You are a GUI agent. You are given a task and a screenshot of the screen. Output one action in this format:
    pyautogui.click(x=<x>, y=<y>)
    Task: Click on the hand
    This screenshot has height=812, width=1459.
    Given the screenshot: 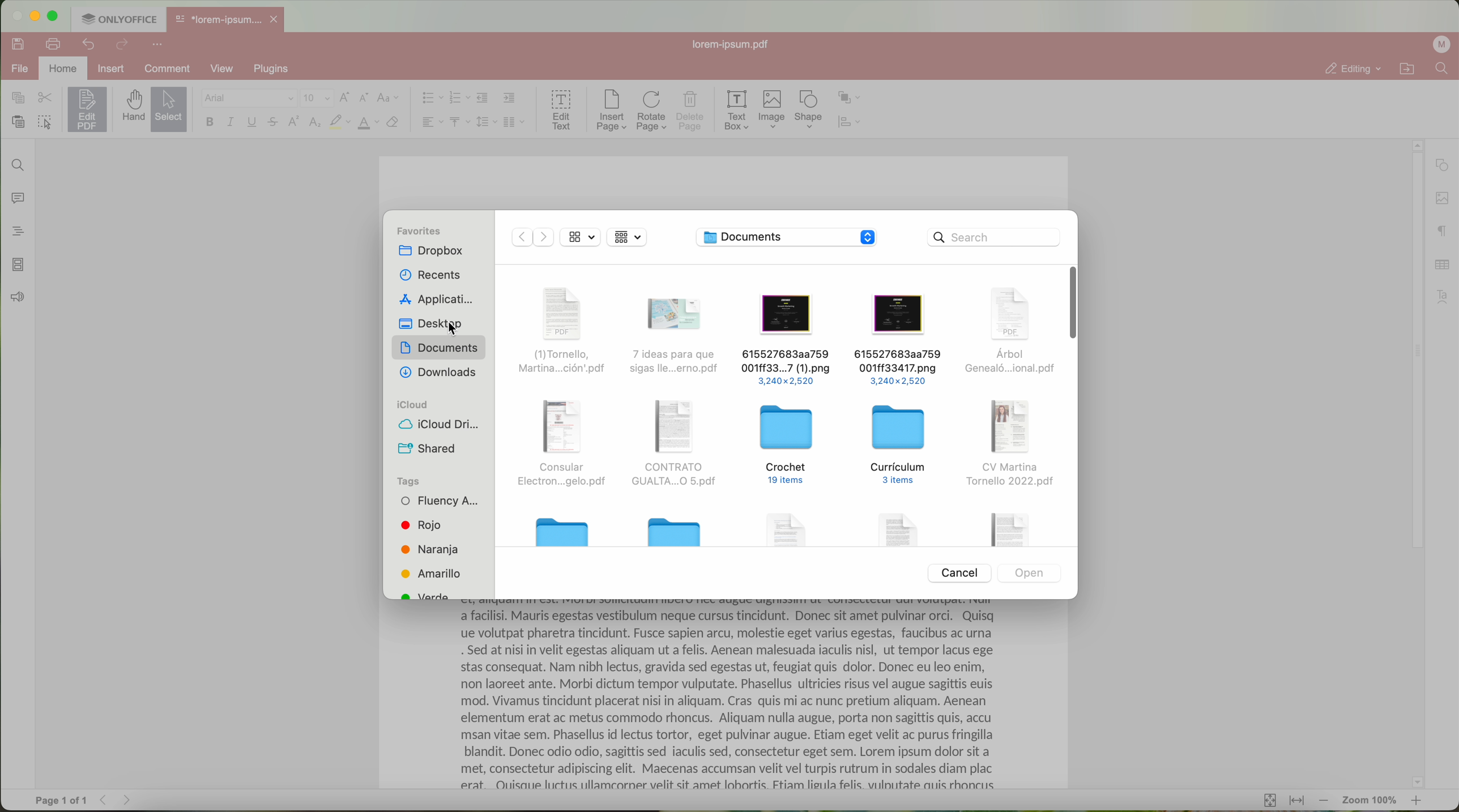 What is the action you would take?
    pyautogui.click(x=132, y=106)
    